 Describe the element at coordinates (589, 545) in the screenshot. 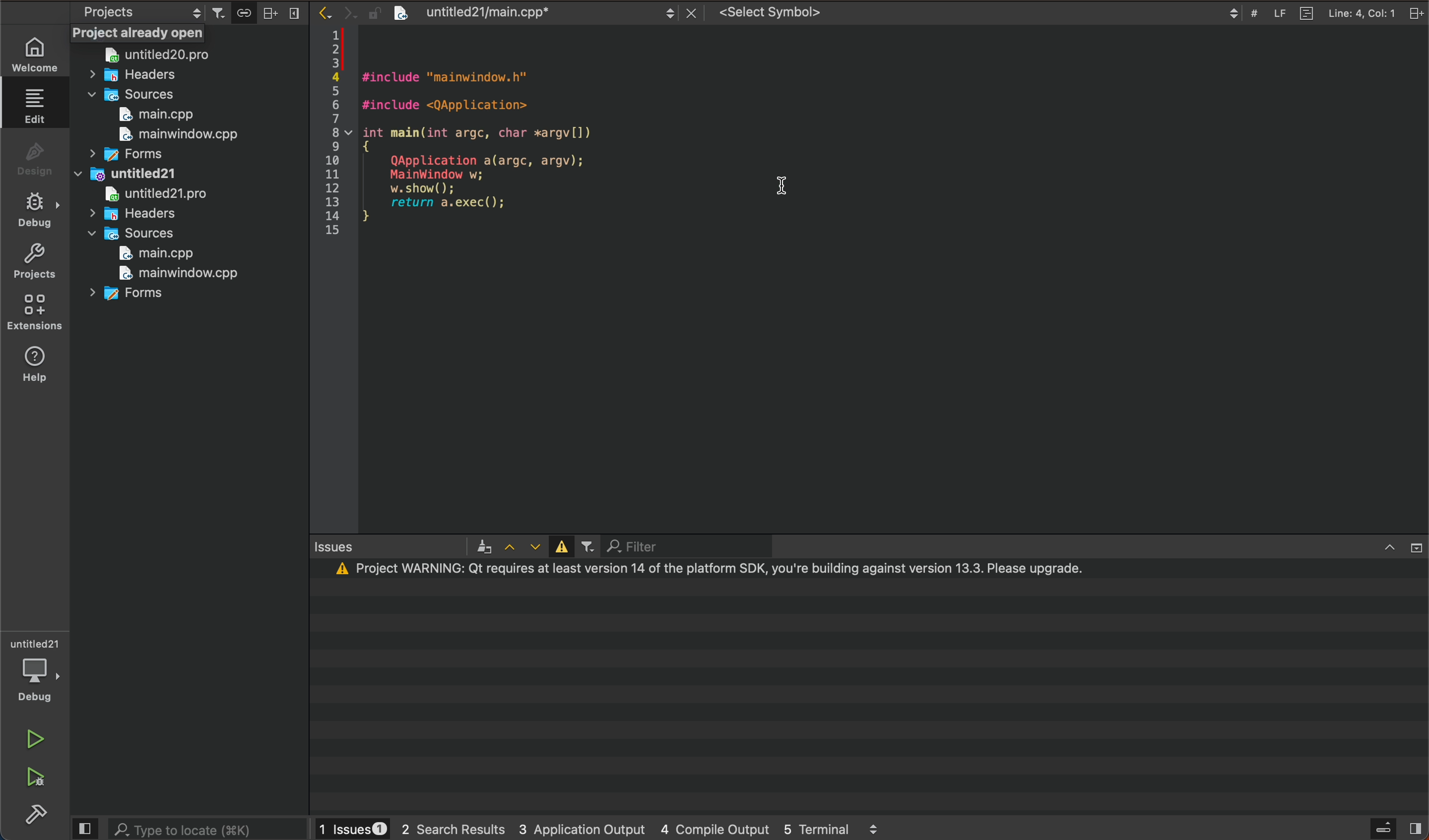

I see `filter` at that location.